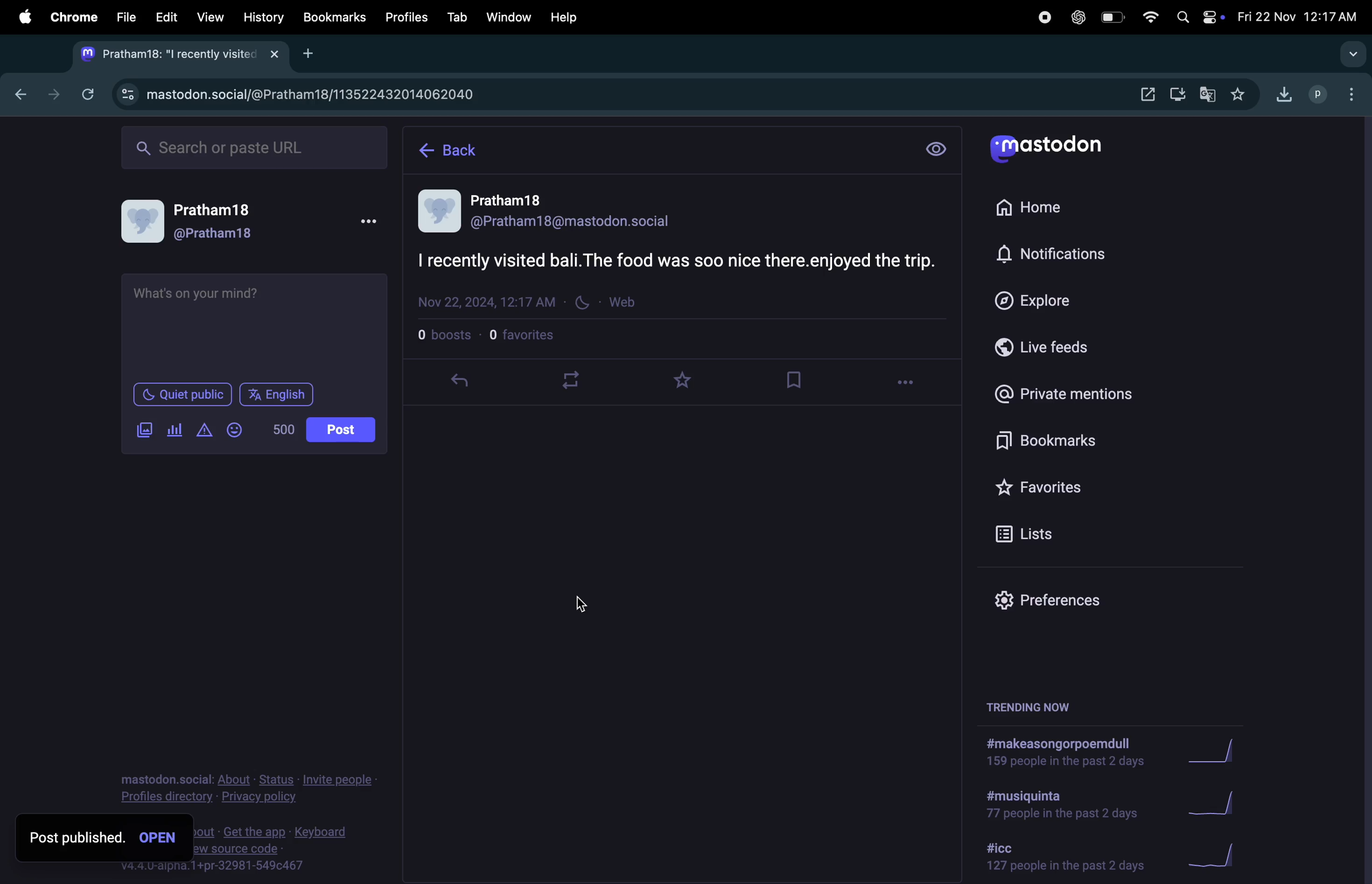 The image size is (1372, 884). What do you see at coordinates (184, 393) in the screenshot?
I see `quiet place` at bounding box center [184, 393].